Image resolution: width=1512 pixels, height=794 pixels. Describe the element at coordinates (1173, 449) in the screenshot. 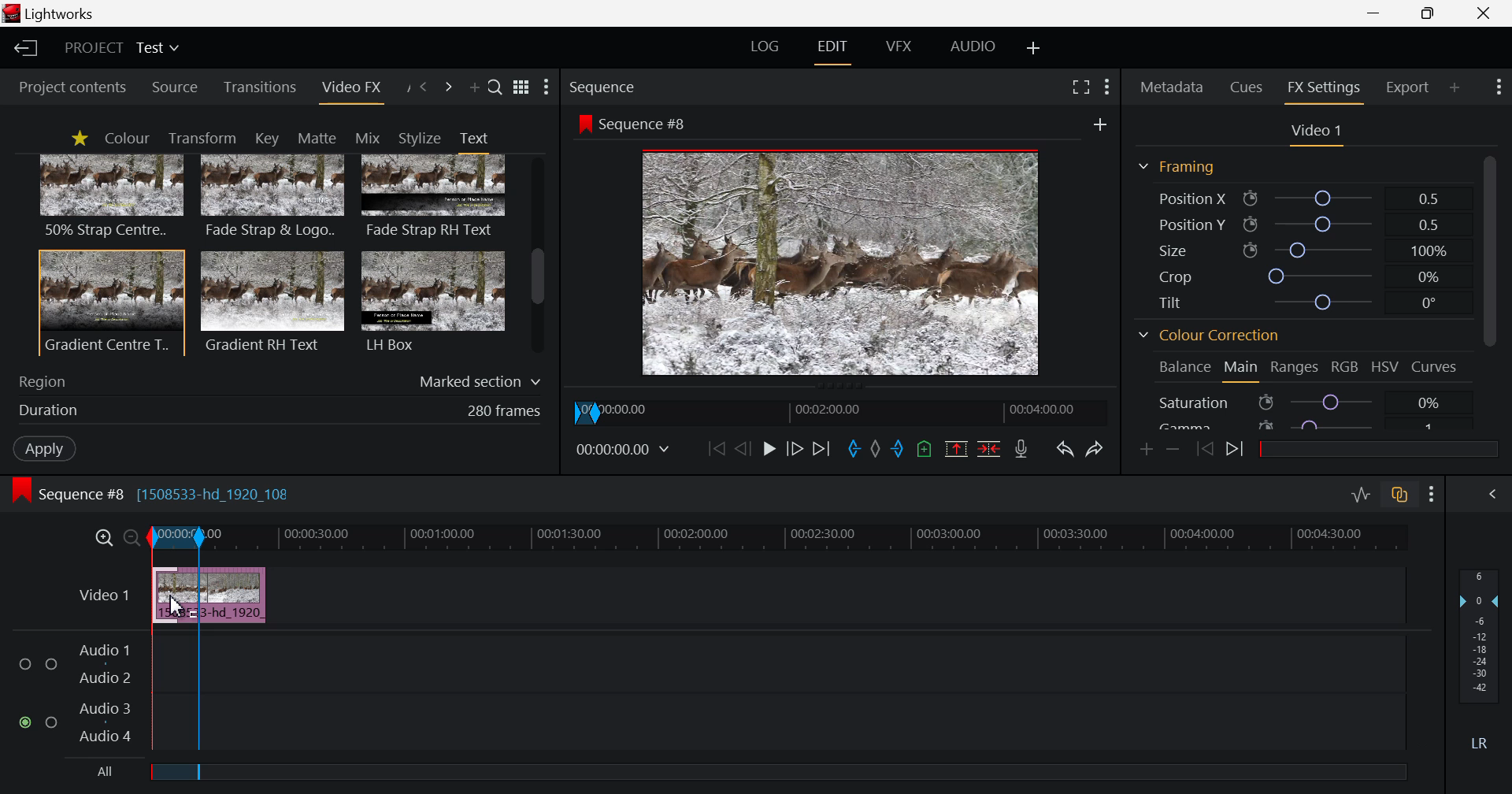

I see `remove keyframe` at that location.